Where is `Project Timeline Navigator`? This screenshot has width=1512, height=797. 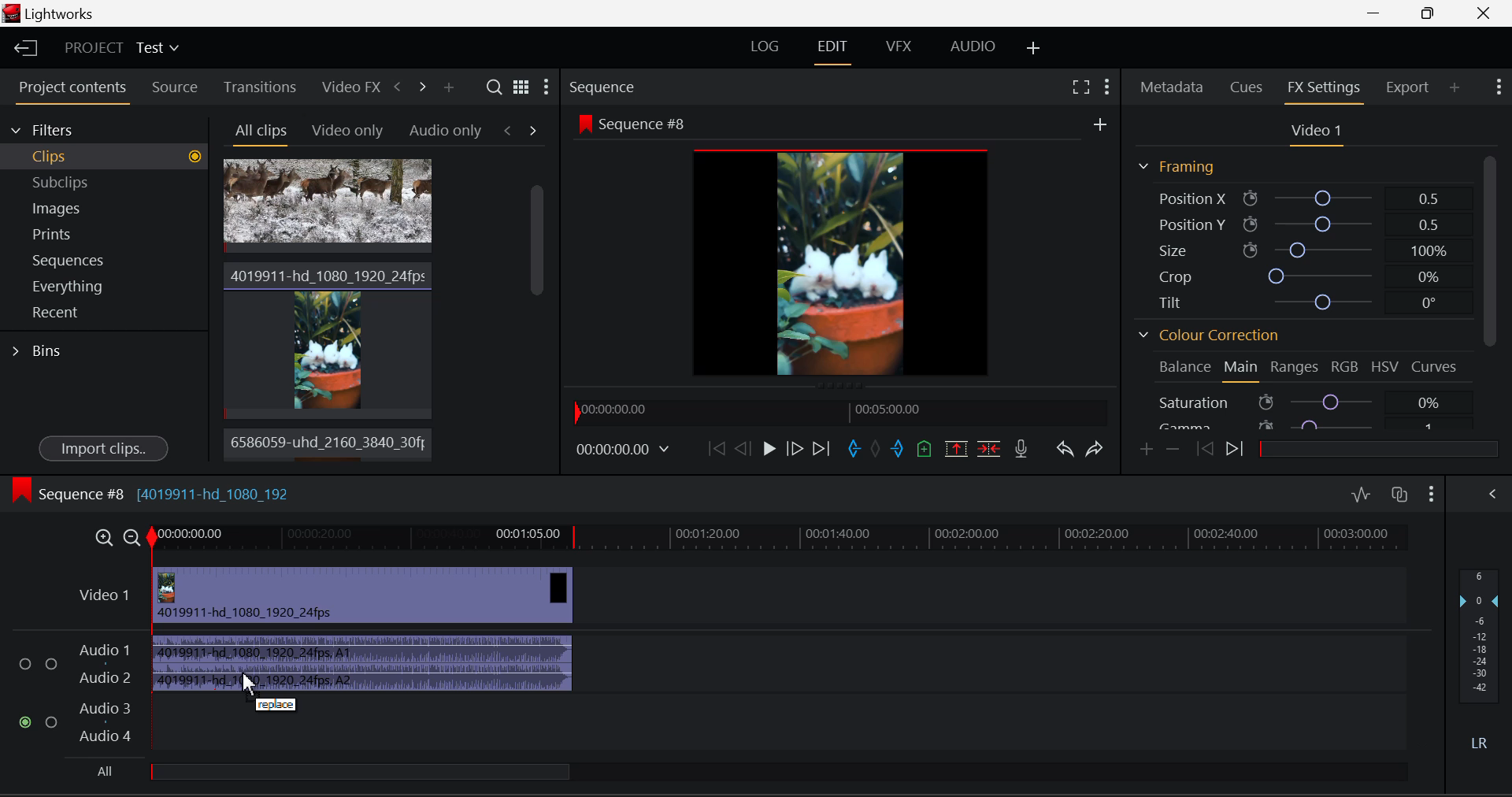
Project Timeline Navigator is located at coordinates (841, 409).